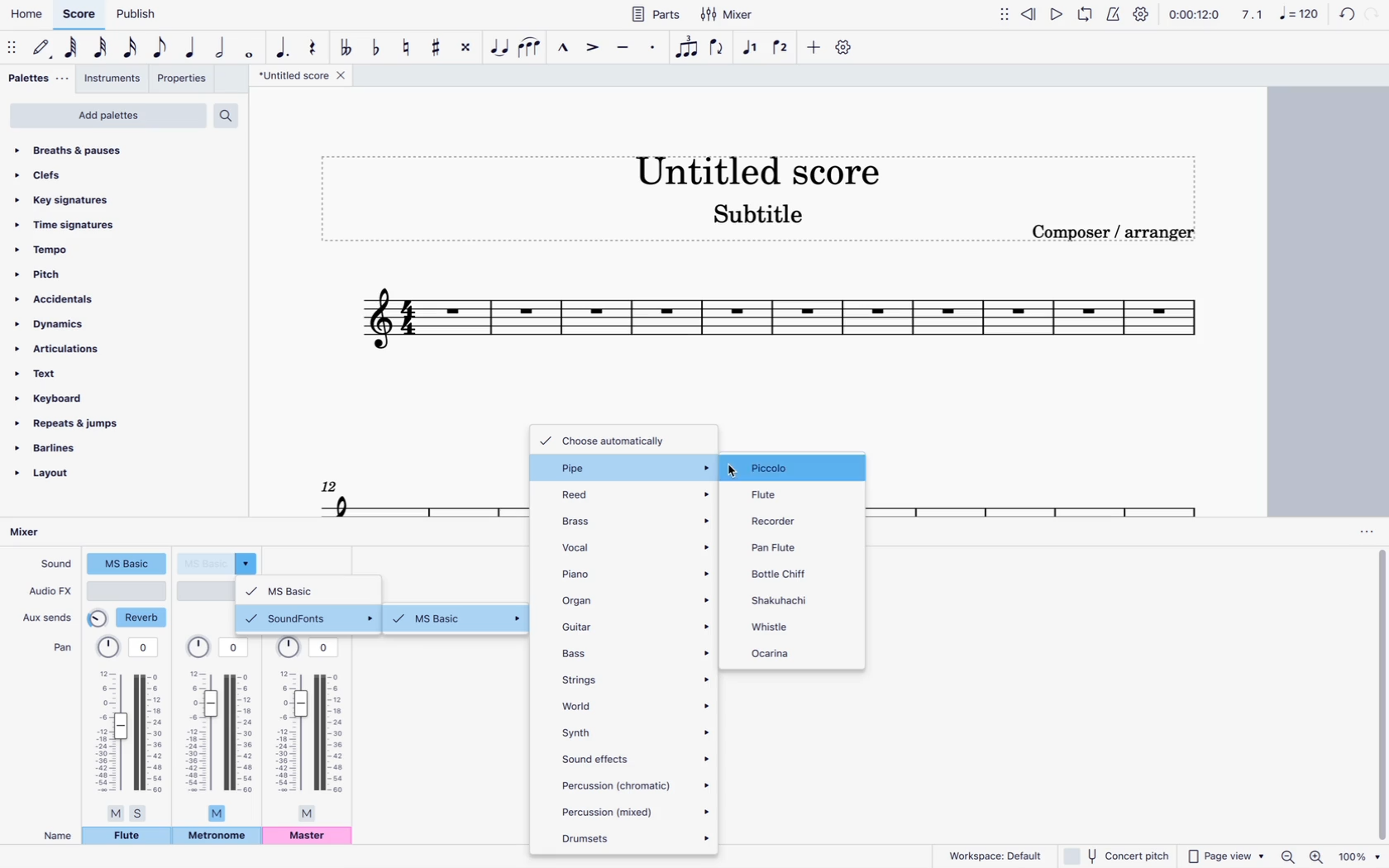  Describe the element at coordinates (635, 757) in the screenshot. I see `sound effects` at that location.